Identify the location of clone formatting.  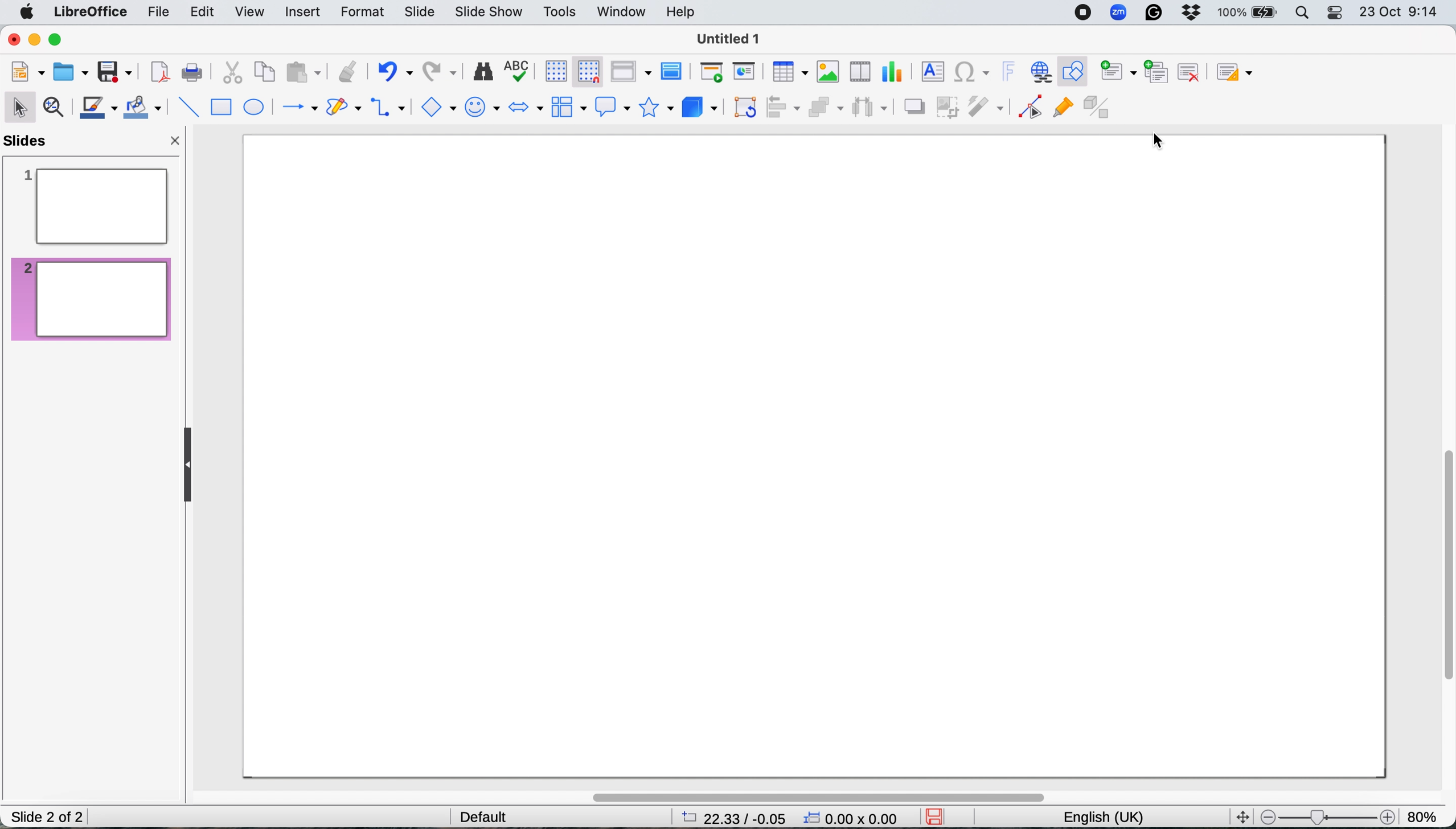
(347, 71).